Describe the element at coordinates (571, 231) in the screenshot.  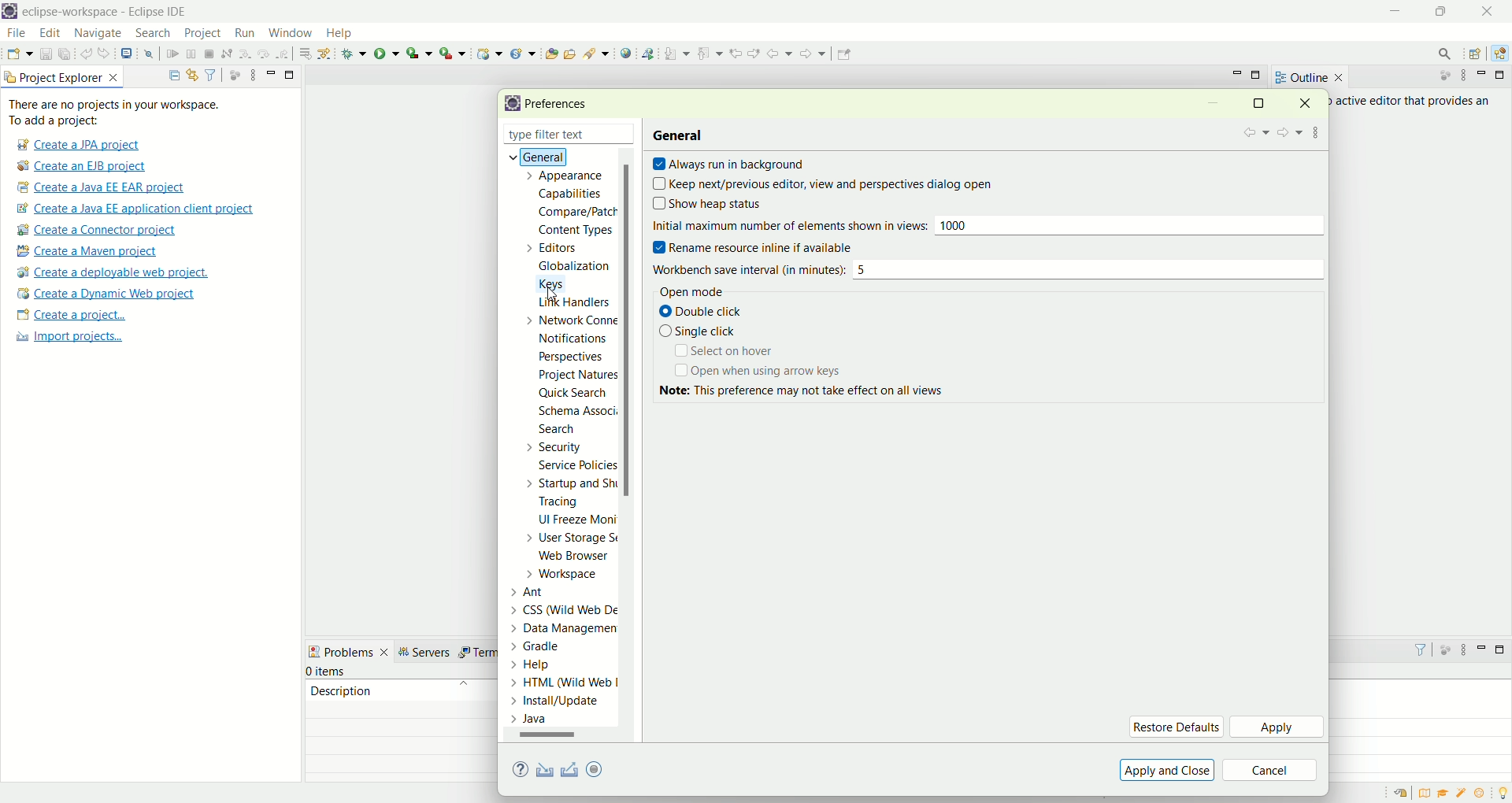
I see `content types` at that location.